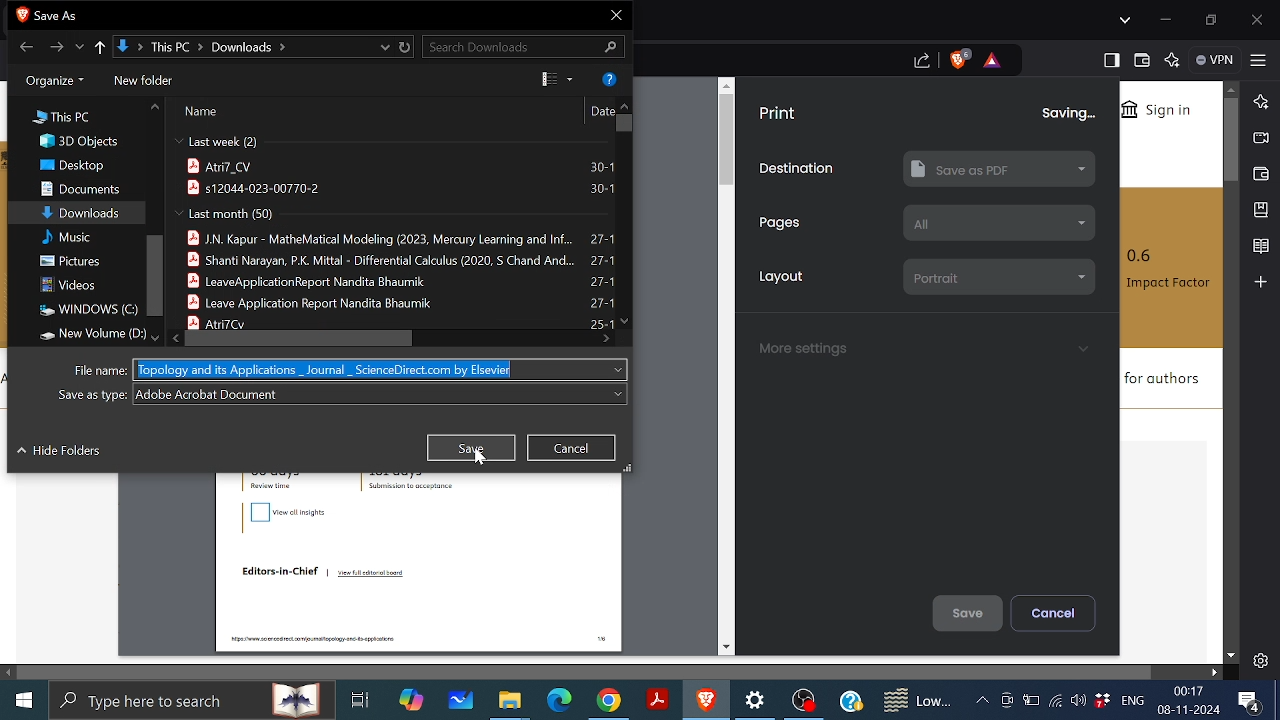 The width and height of the screenshot is (1280, 720). What do you see at coordinates (223, 145) in the screenshot?
I see `last week (2)` at bounding box center [223, 145].